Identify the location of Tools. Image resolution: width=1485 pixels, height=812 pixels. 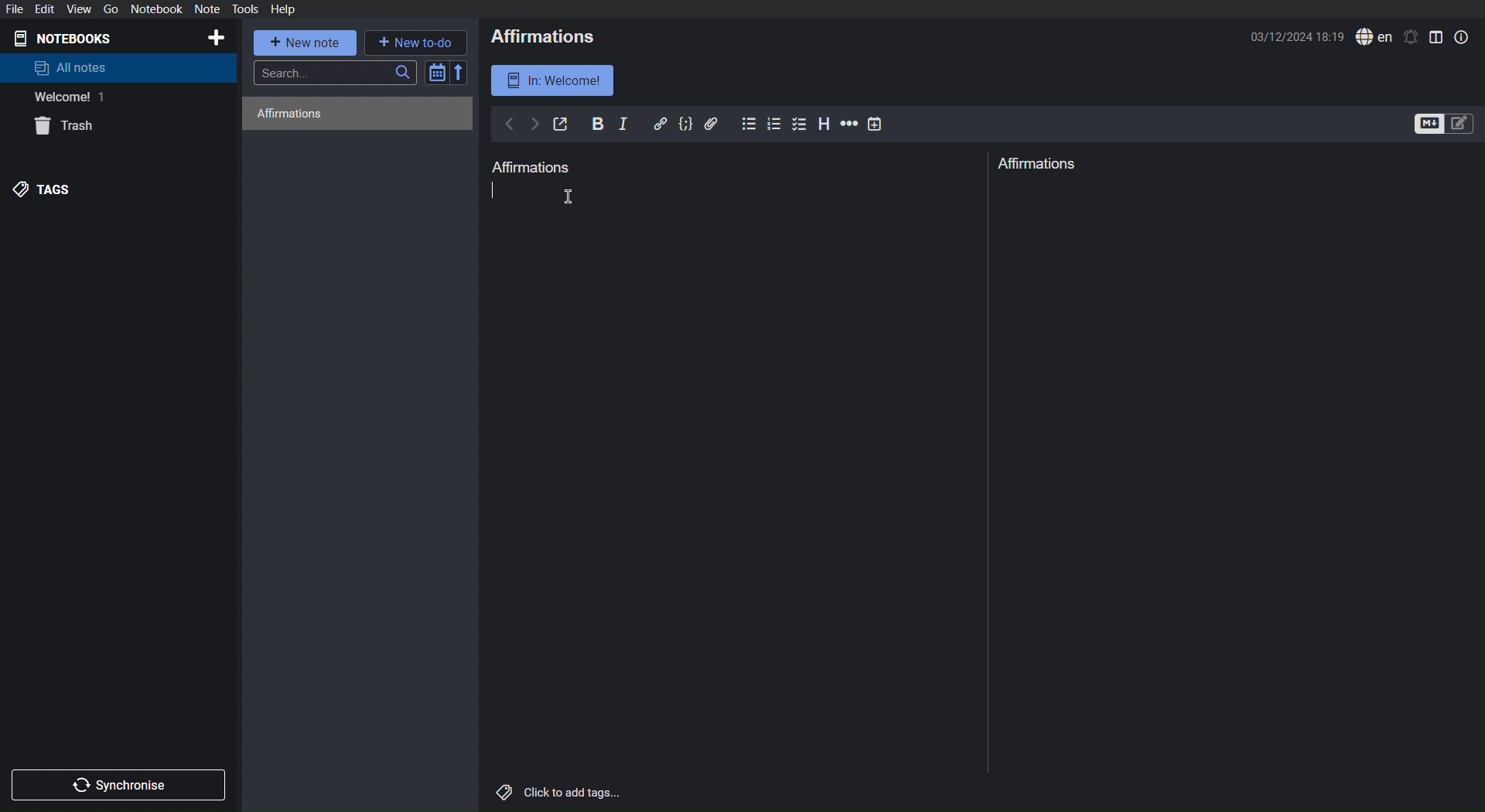
(246, 9).